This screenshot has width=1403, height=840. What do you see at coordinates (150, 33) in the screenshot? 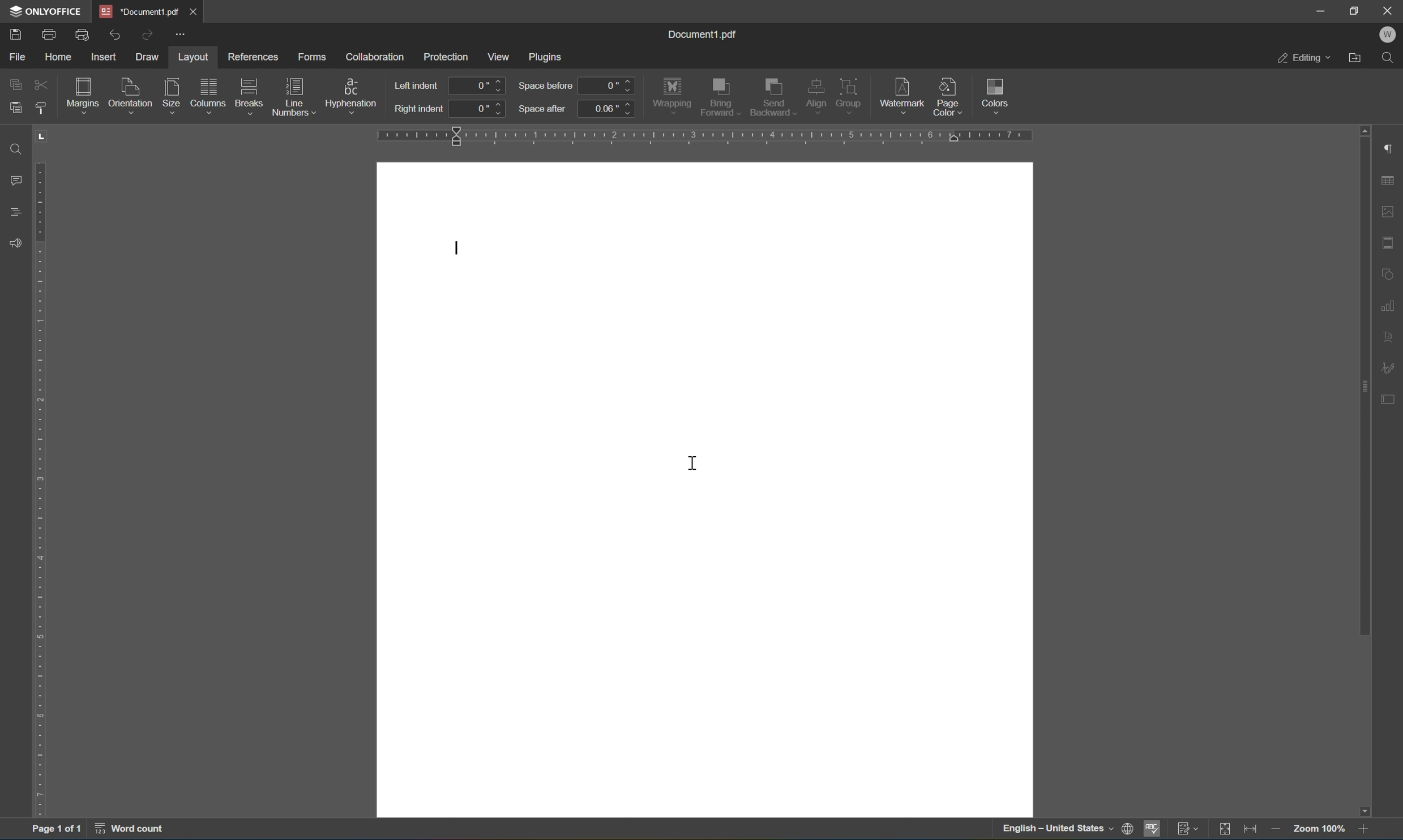
I see `redo` at bounding box center [150, 33].